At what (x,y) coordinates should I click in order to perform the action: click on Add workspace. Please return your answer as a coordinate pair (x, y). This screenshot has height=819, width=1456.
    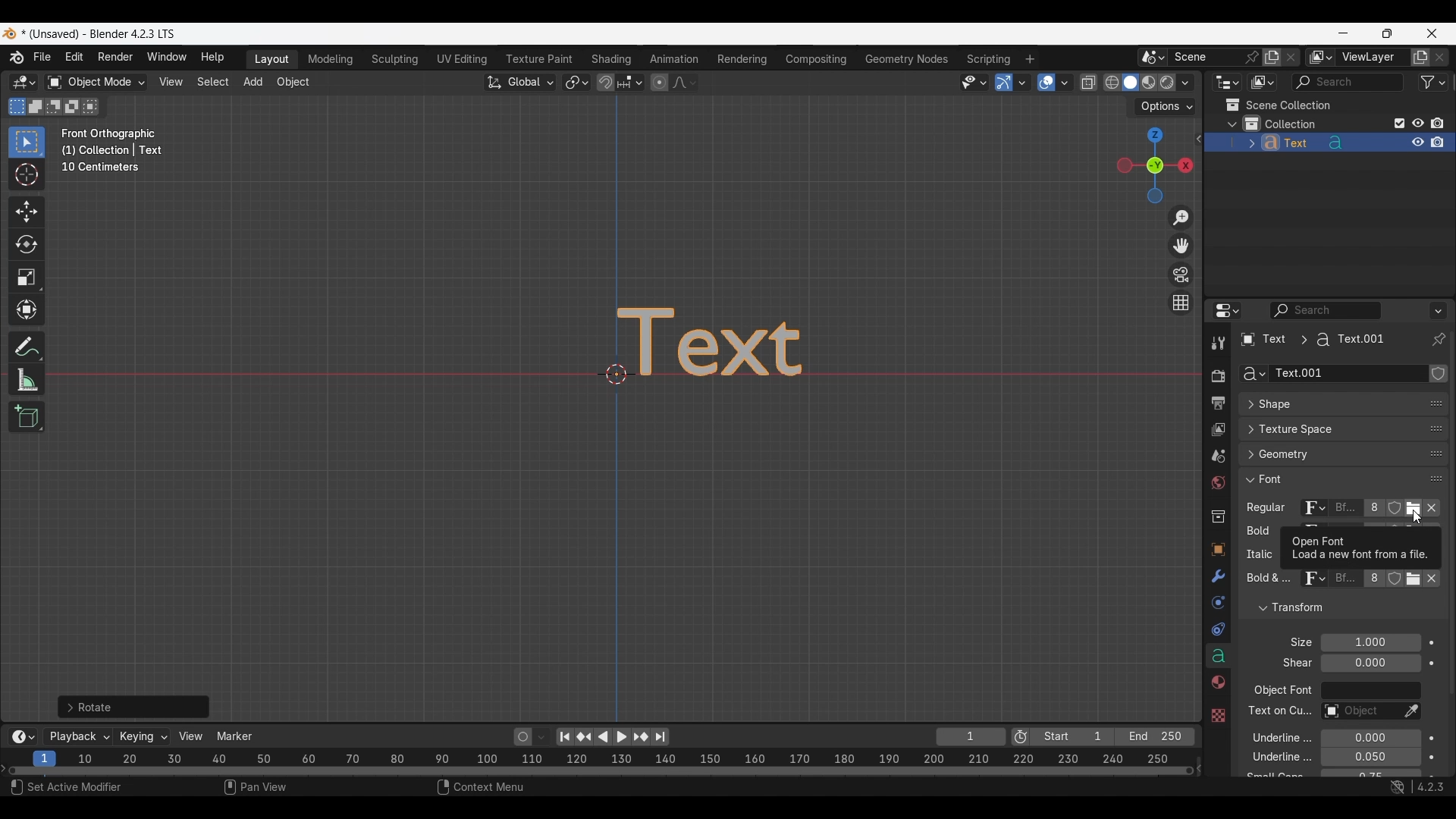
    Looking at the image, I should click on (1029, 59).